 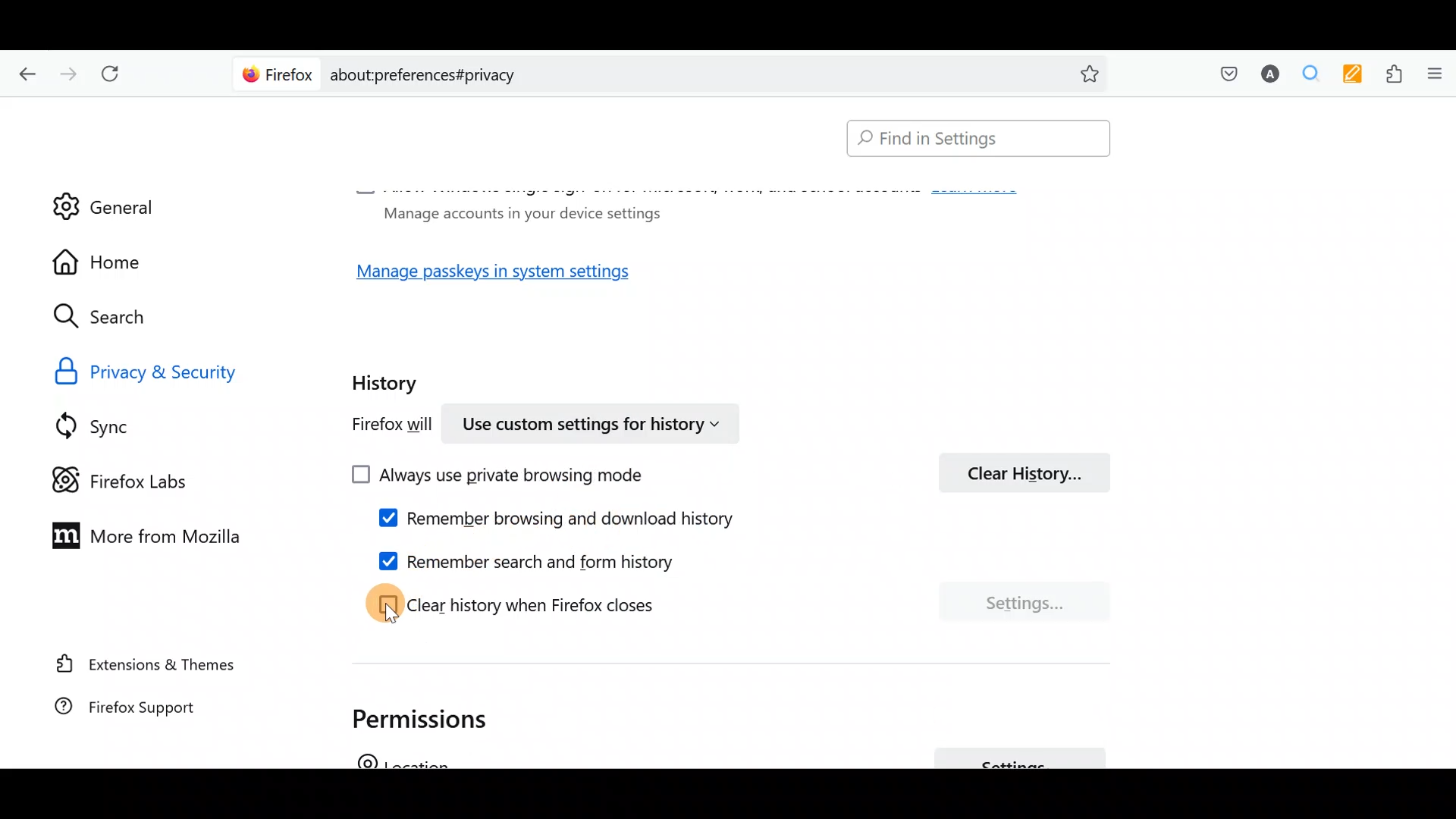 What do you see at coordinates (376, 427) in the screenshot?
I see `Firefox will` at bounding box center [376, 427].